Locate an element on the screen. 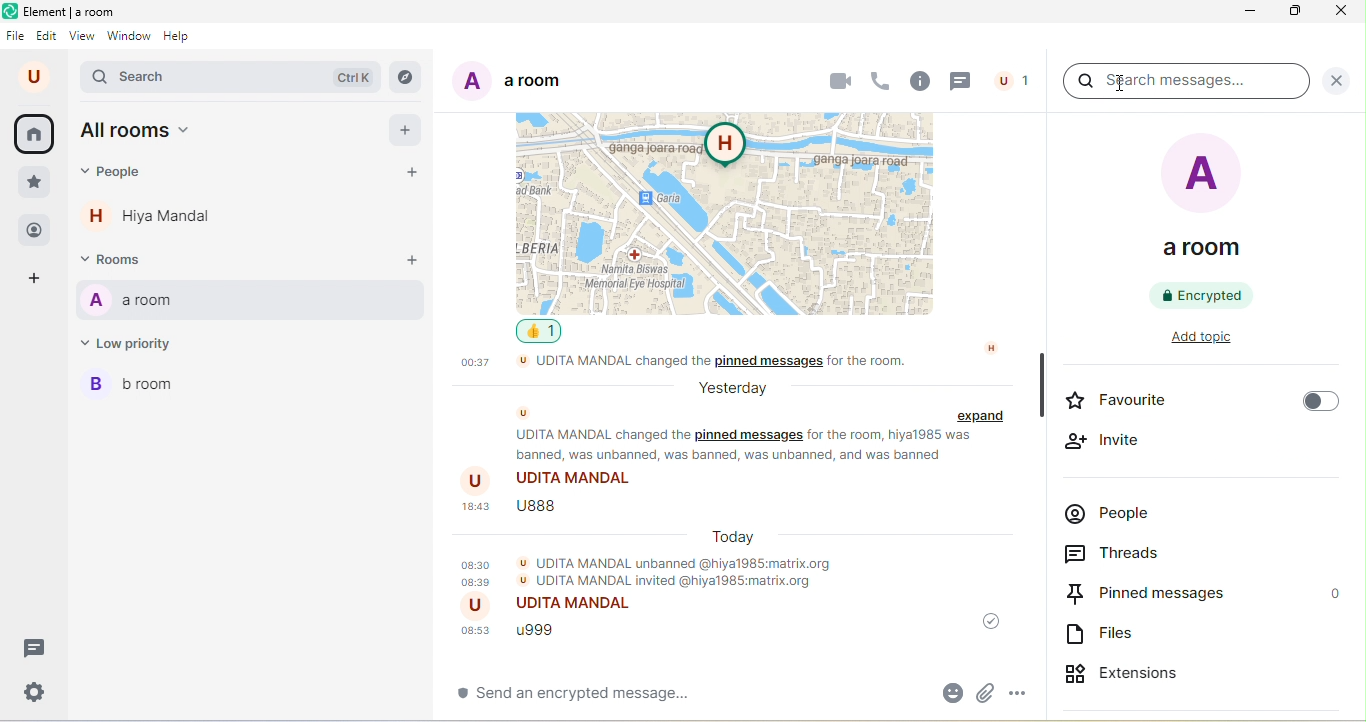 The height and width of the screenshot is (722, 1366). maximize is located at coordinates (1297, 14).